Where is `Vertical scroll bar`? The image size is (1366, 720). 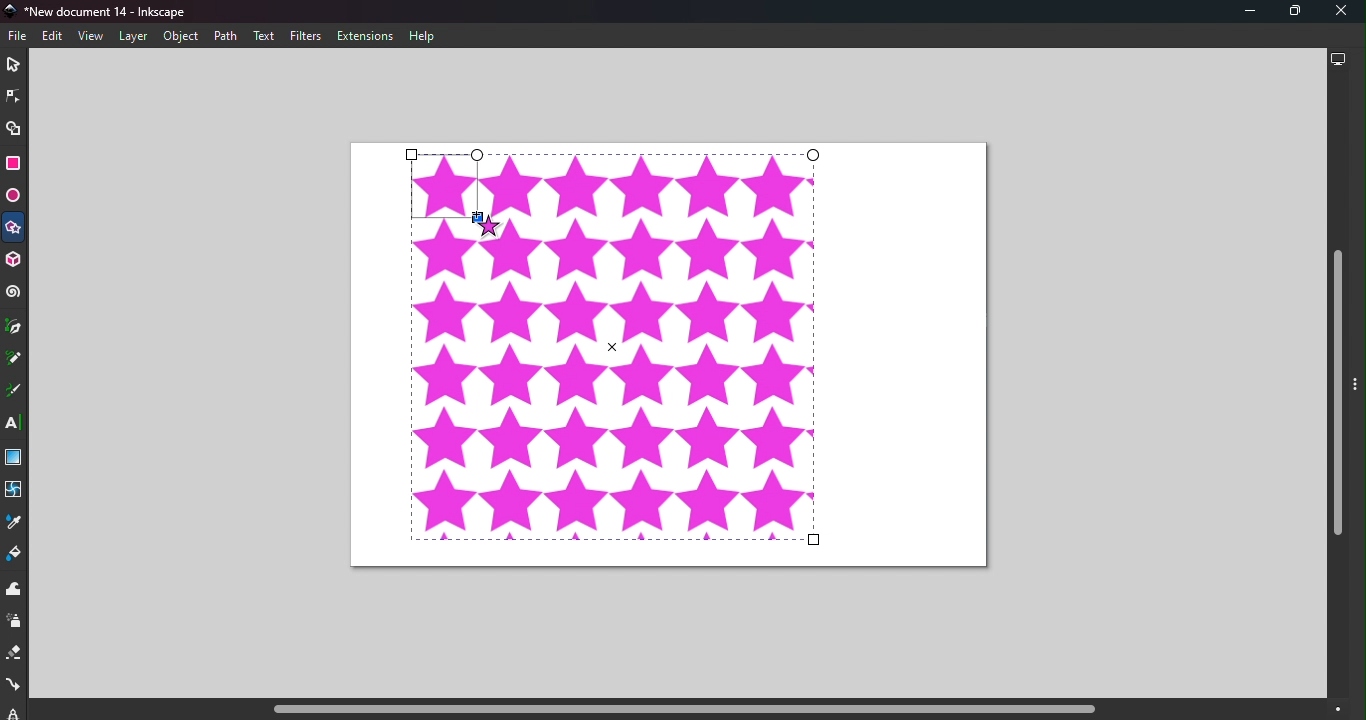
Vertical scroll bar is located at coordinates (1338, 388).